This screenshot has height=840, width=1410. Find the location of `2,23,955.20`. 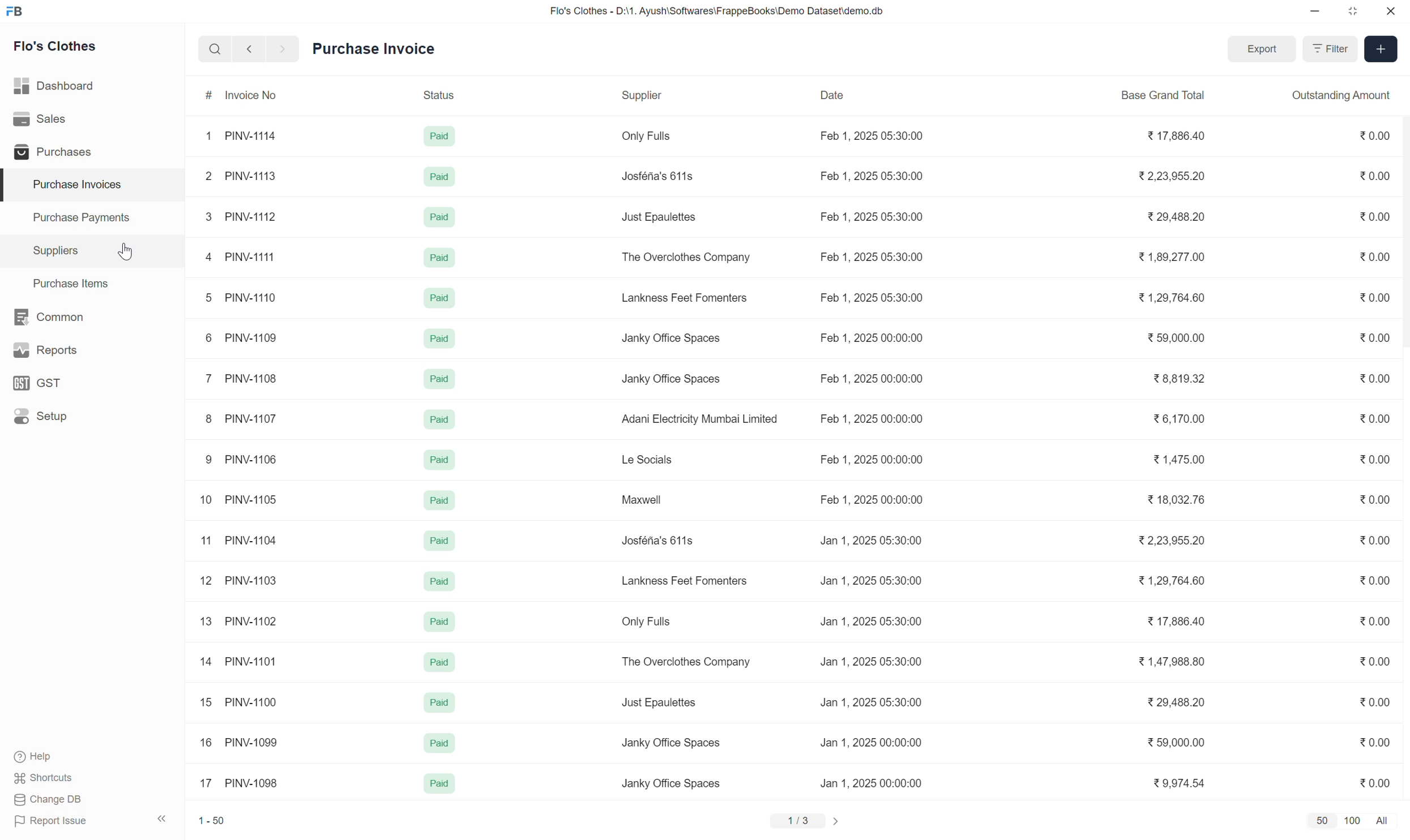

2,23,955.20 is located at coordinates (1171, 176).